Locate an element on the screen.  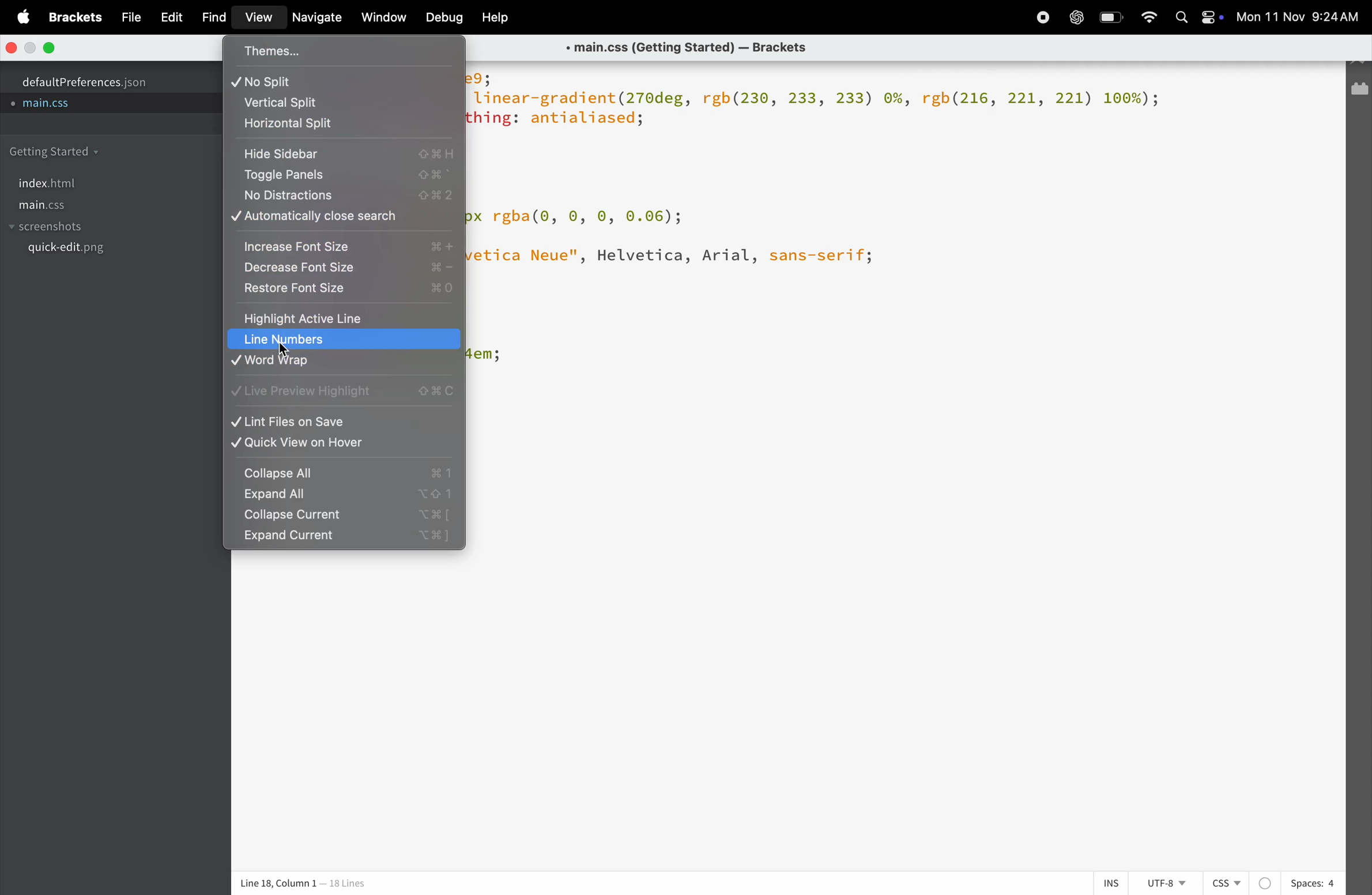
« main.css (Getting Started) — Brackets is located at coordinates (693, 47).